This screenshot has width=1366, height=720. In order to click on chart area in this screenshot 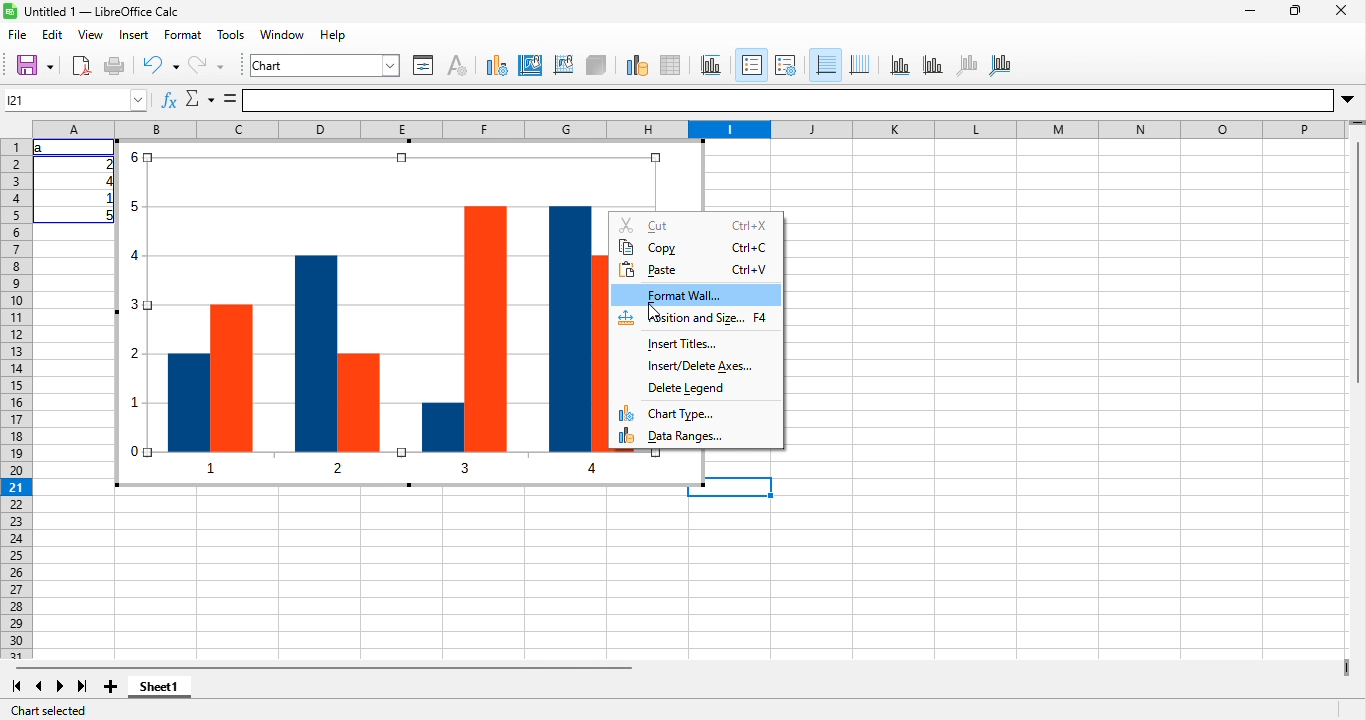, I will do `click(531, 67)`.